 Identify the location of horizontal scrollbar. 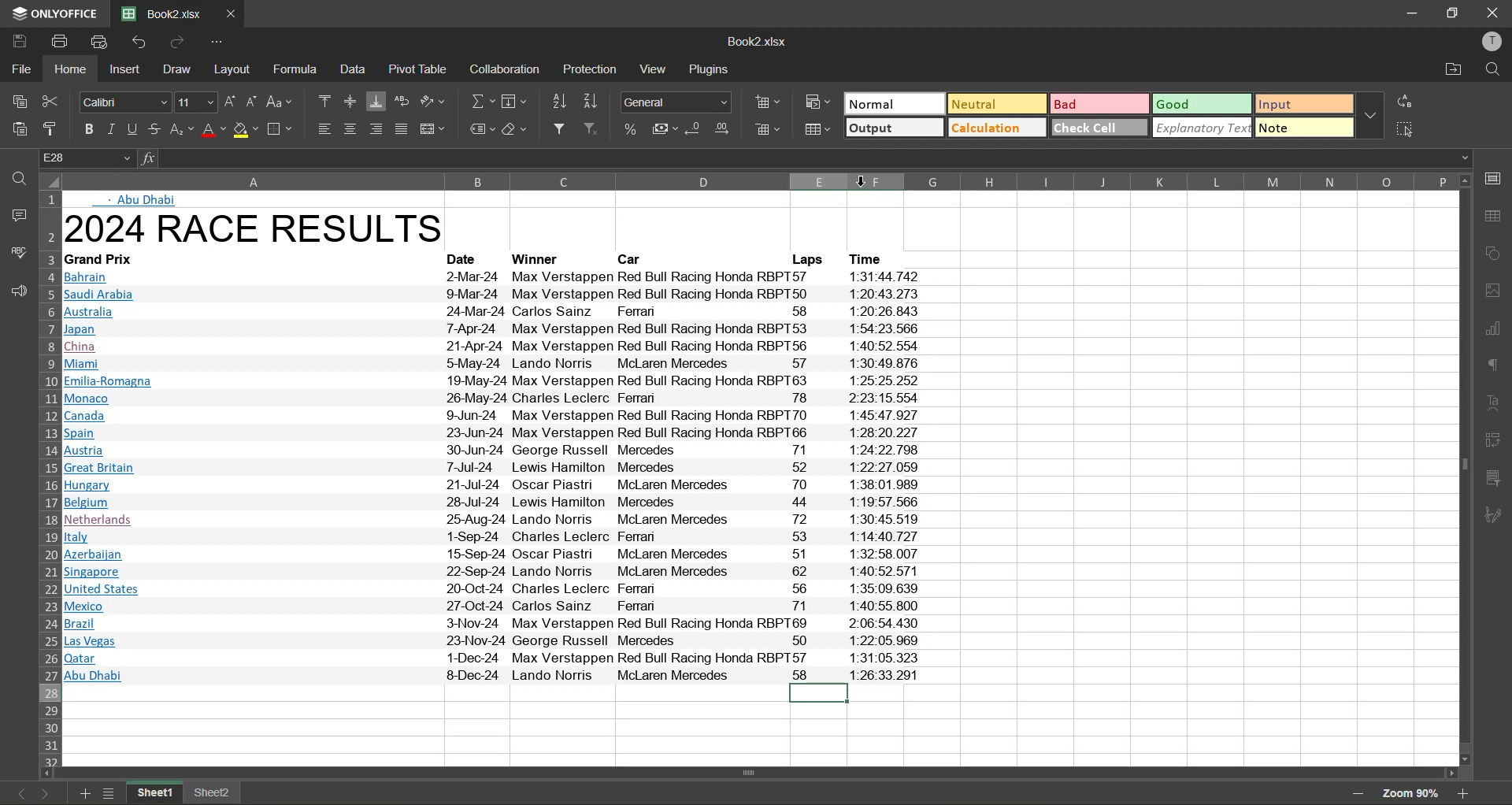
(748, 773).